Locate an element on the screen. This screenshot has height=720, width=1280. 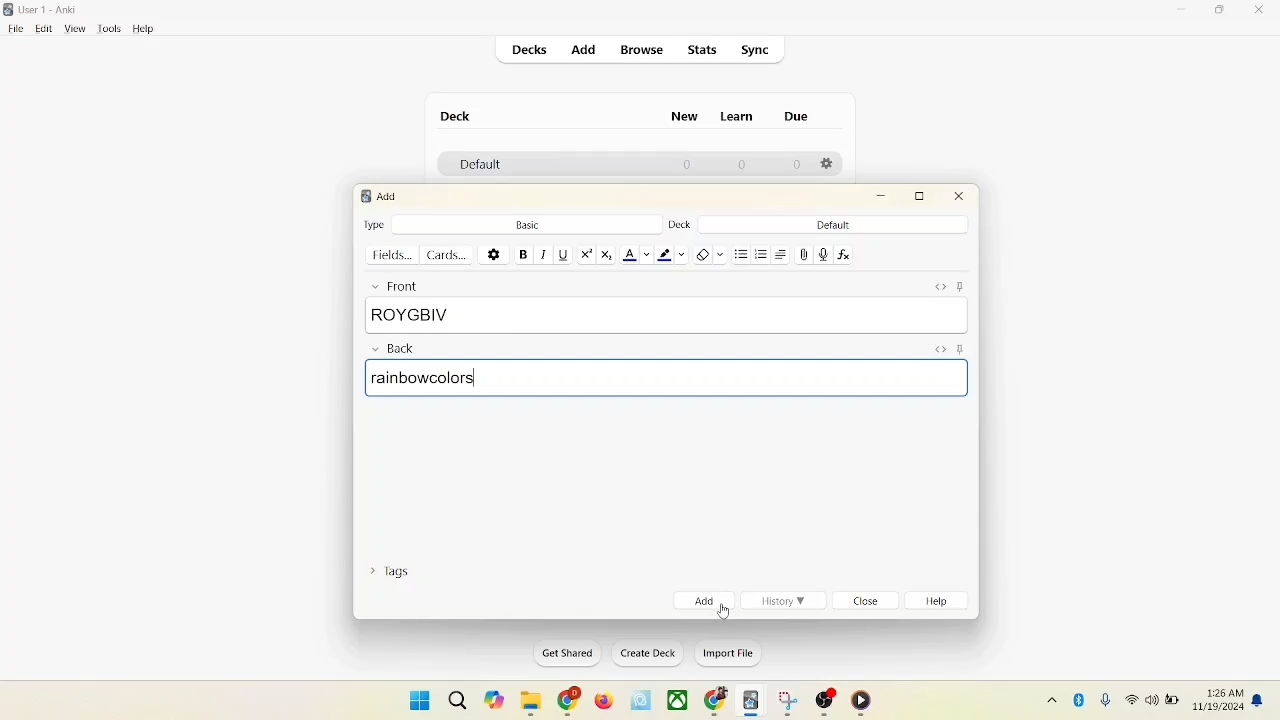
tags is located at coordinates (395, 575).